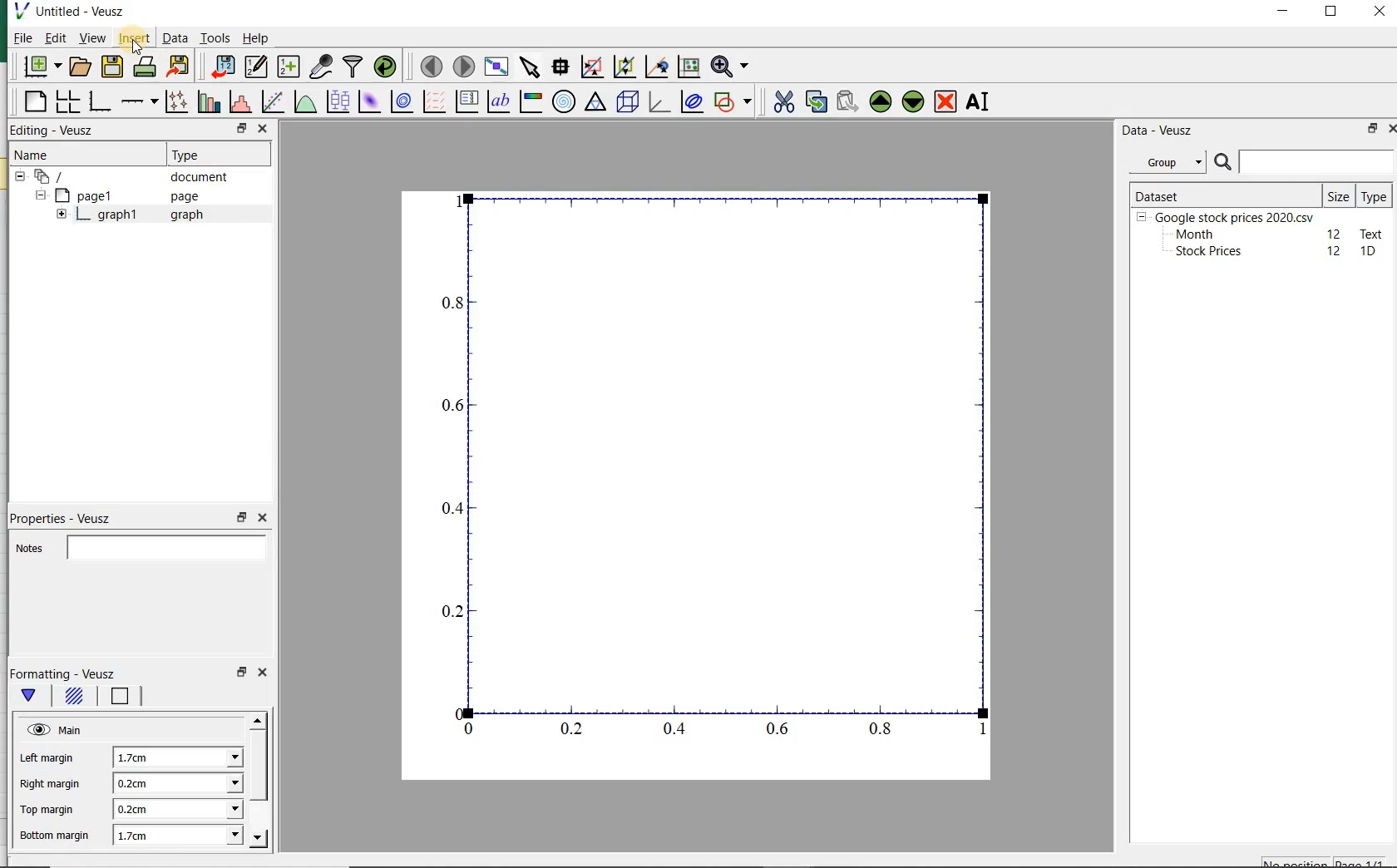  I want to click on Formatting - Veusz, so click(69, 674).